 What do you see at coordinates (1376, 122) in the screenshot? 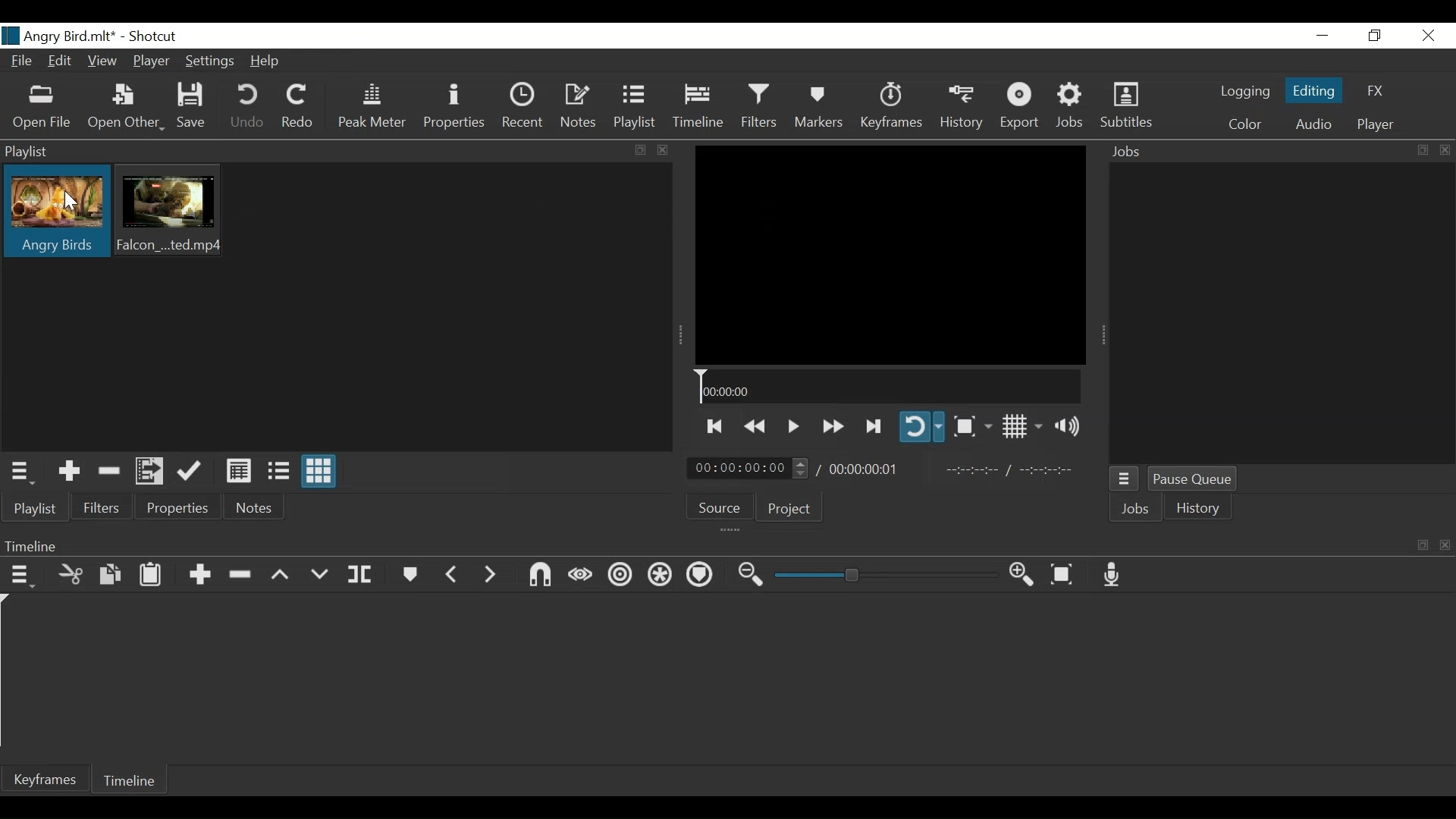
I see `Player` at bounding box center [1376, 122].